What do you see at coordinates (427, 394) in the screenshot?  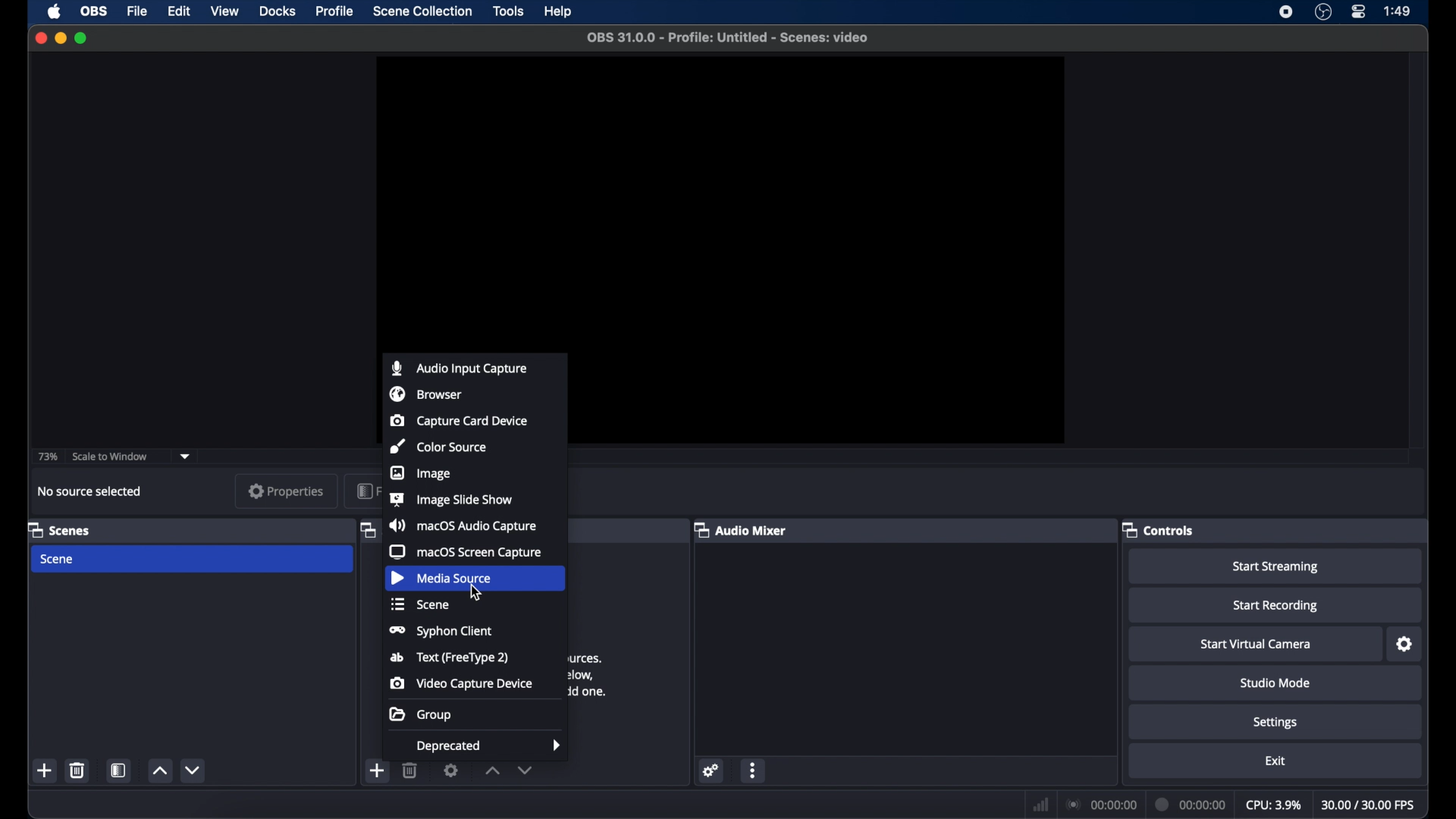 I see `browser` at bounding box center [427, 394].